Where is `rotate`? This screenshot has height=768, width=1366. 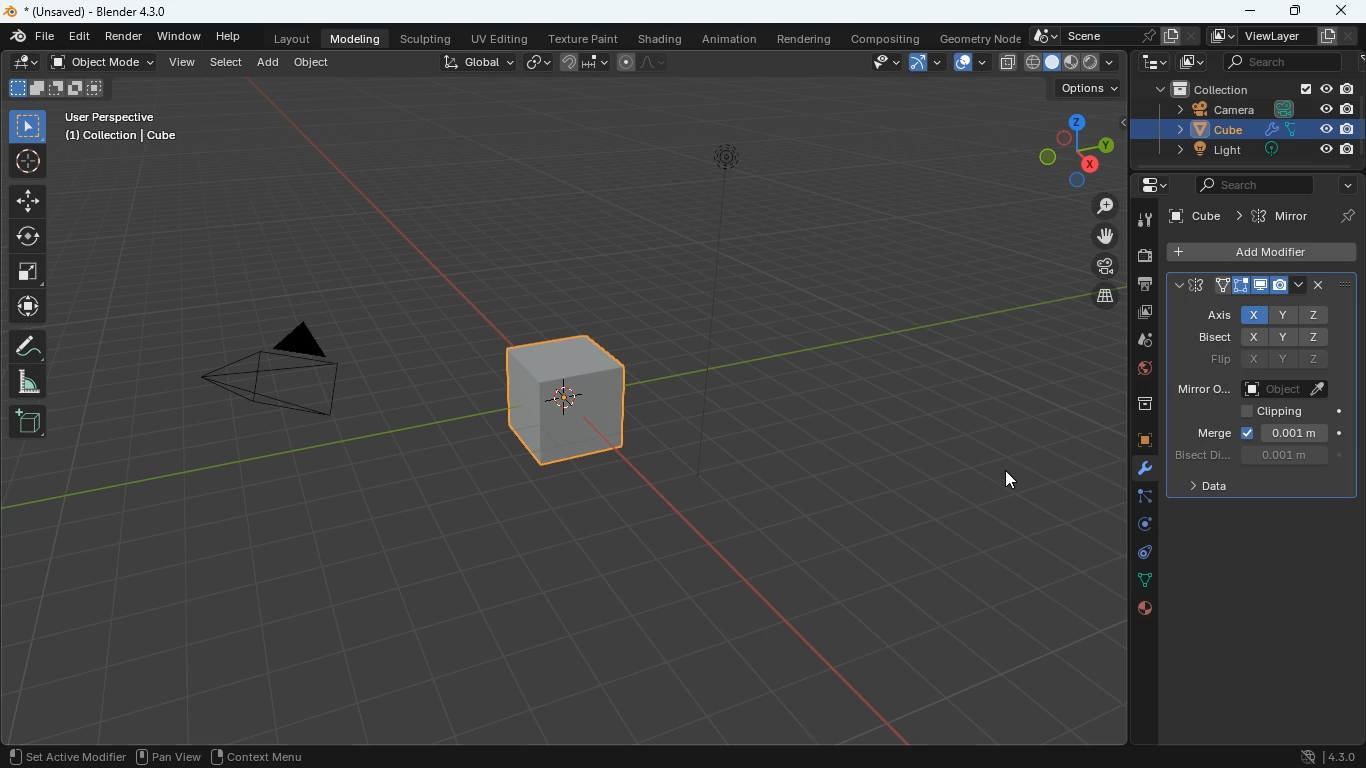
rotate is located at coordinates (1135, 524).